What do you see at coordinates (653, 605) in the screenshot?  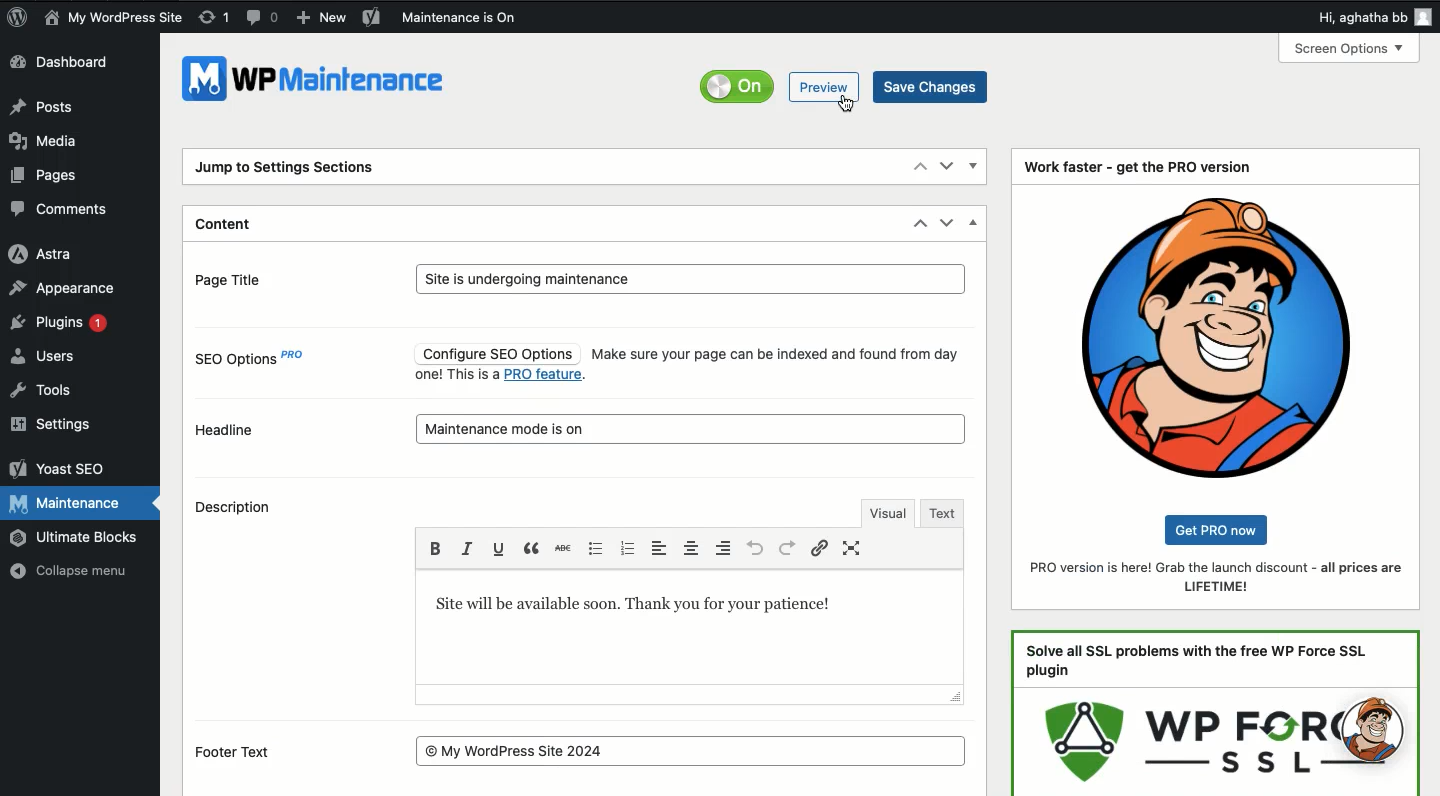 I see `Text` at bounding box center [653, 605].